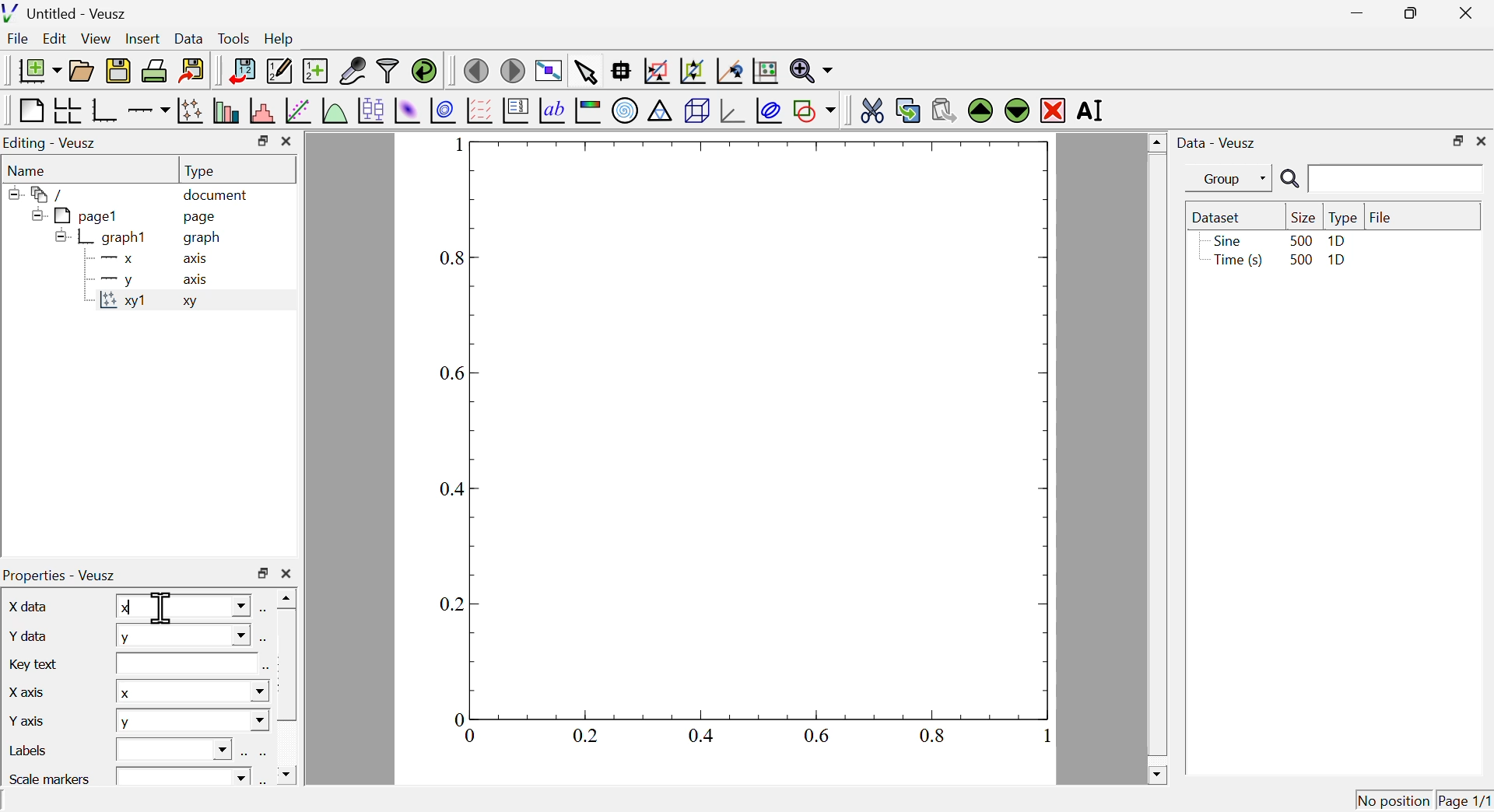 This screenshot has height=812, width=1494. Describe the element at coordinates (37, 663) in the screenshot. I see `key text` at that location.